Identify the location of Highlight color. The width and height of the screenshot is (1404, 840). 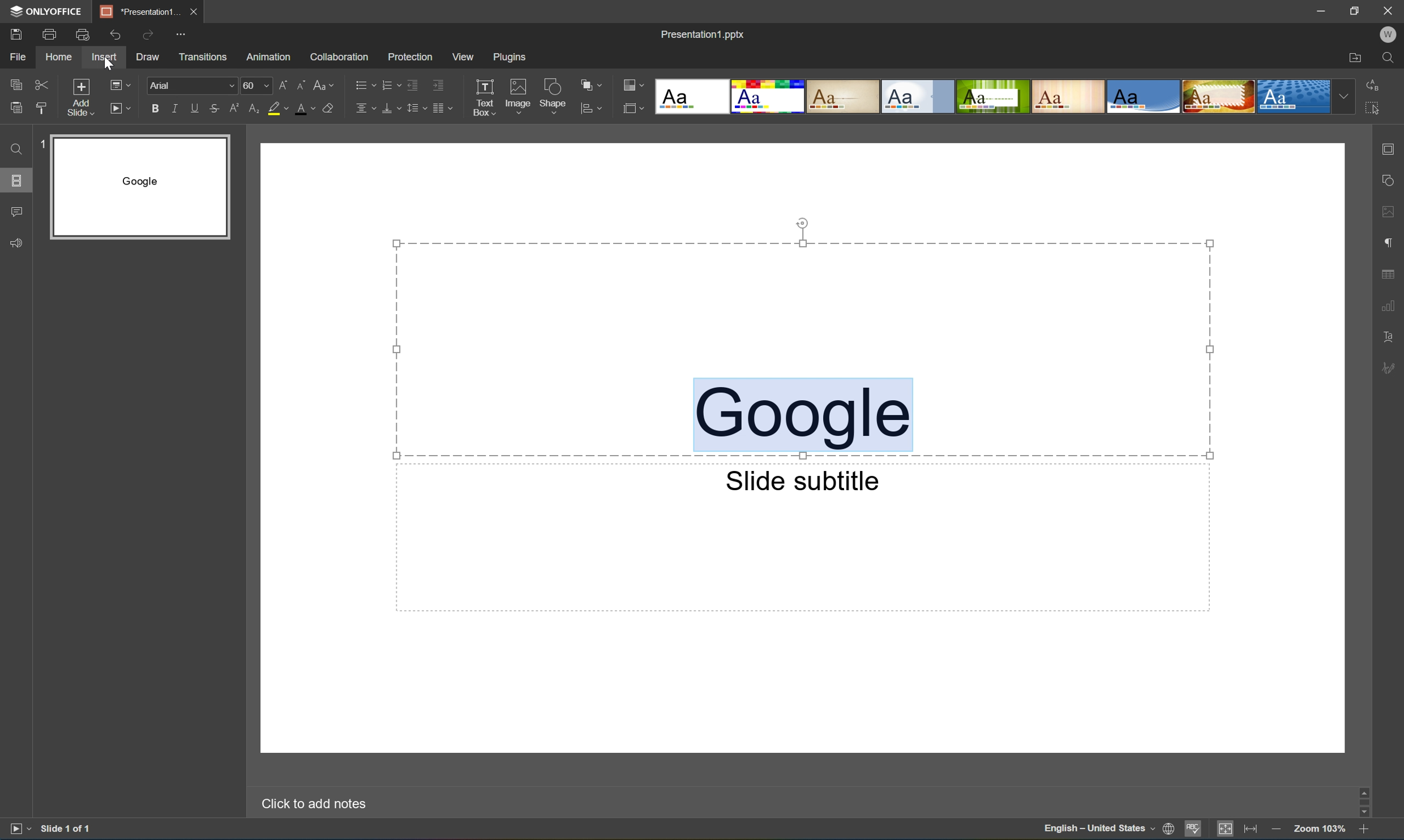
(279, 110).